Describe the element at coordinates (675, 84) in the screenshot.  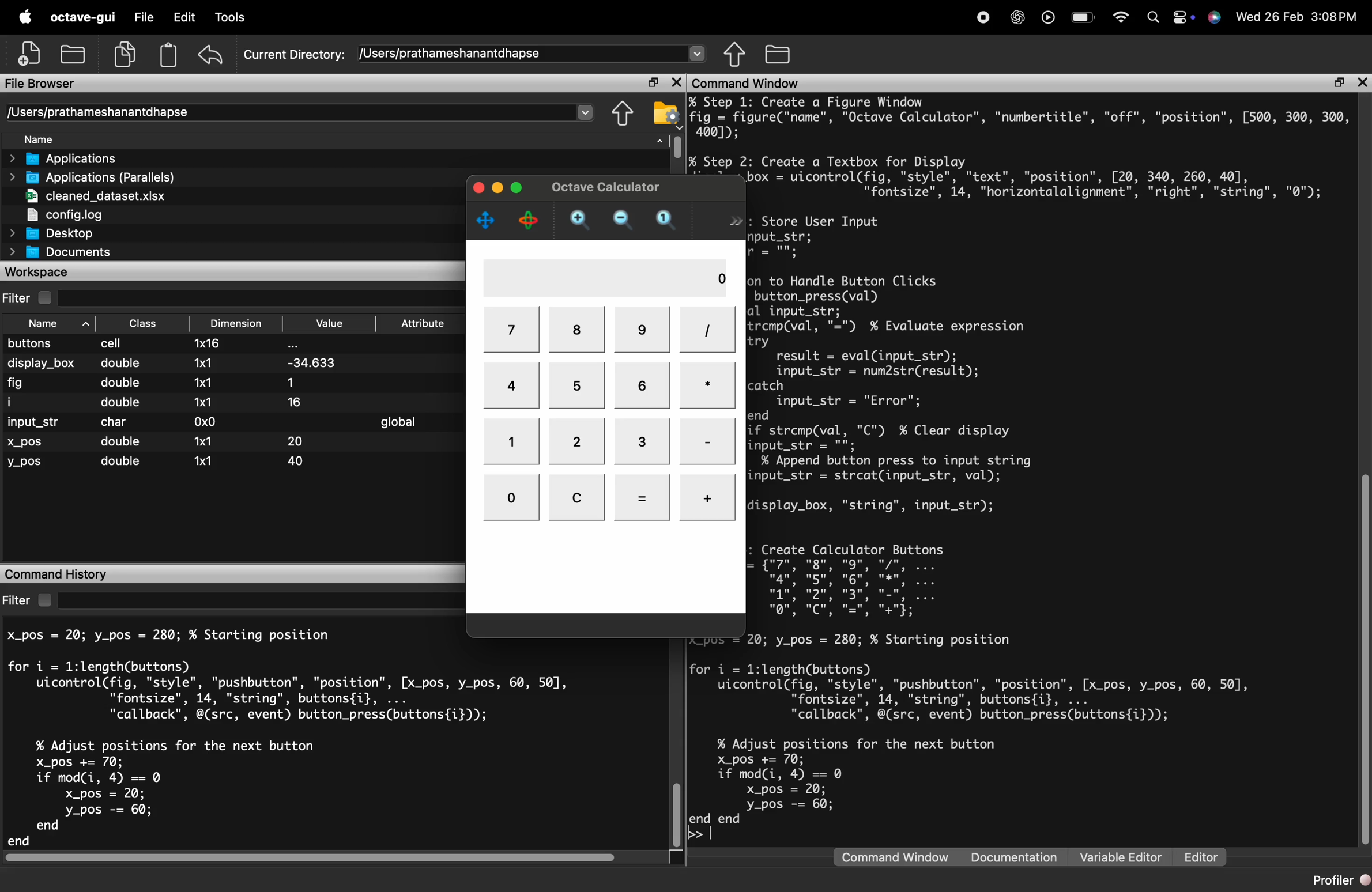
I see `close` at that location.